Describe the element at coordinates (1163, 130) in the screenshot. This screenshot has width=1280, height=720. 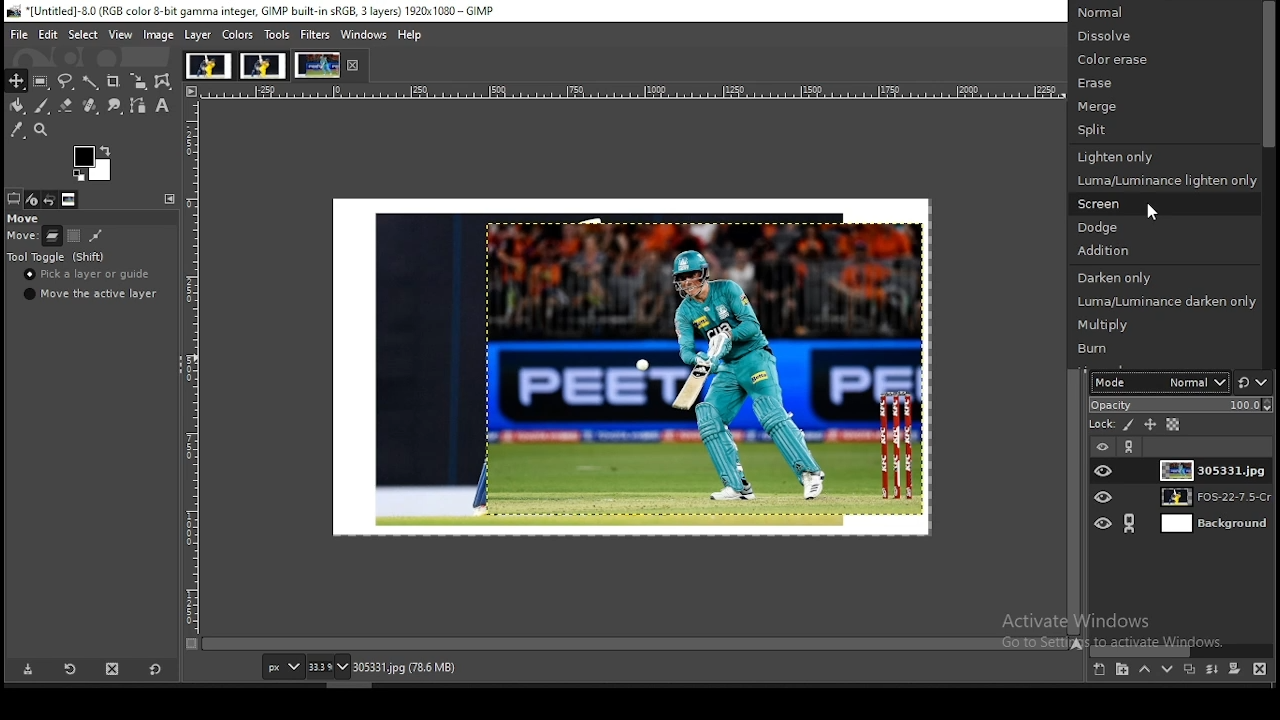
I see `split` at that location.